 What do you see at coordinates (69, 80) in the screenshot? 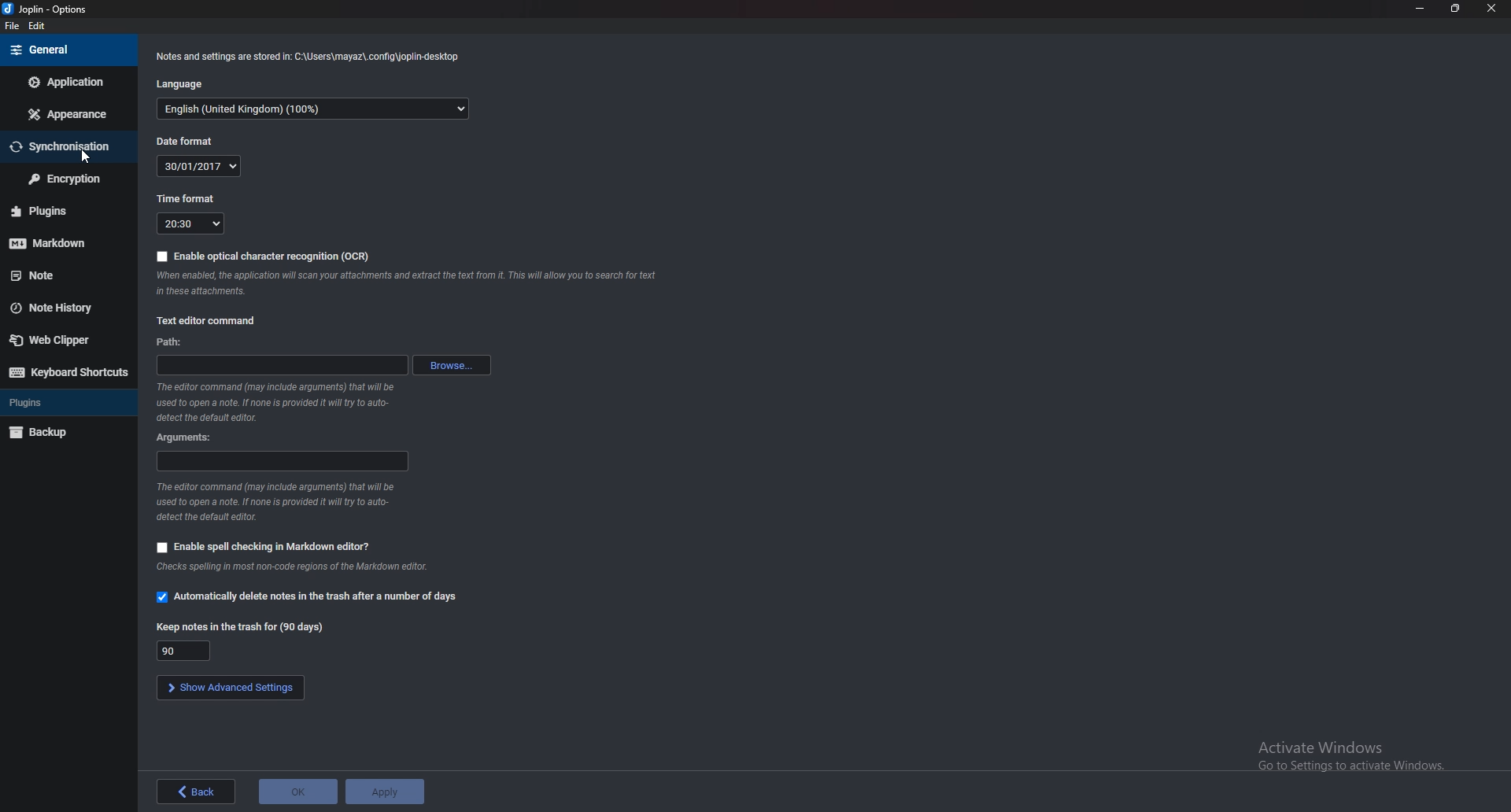
I see `application` at bounding box center [69, 80].